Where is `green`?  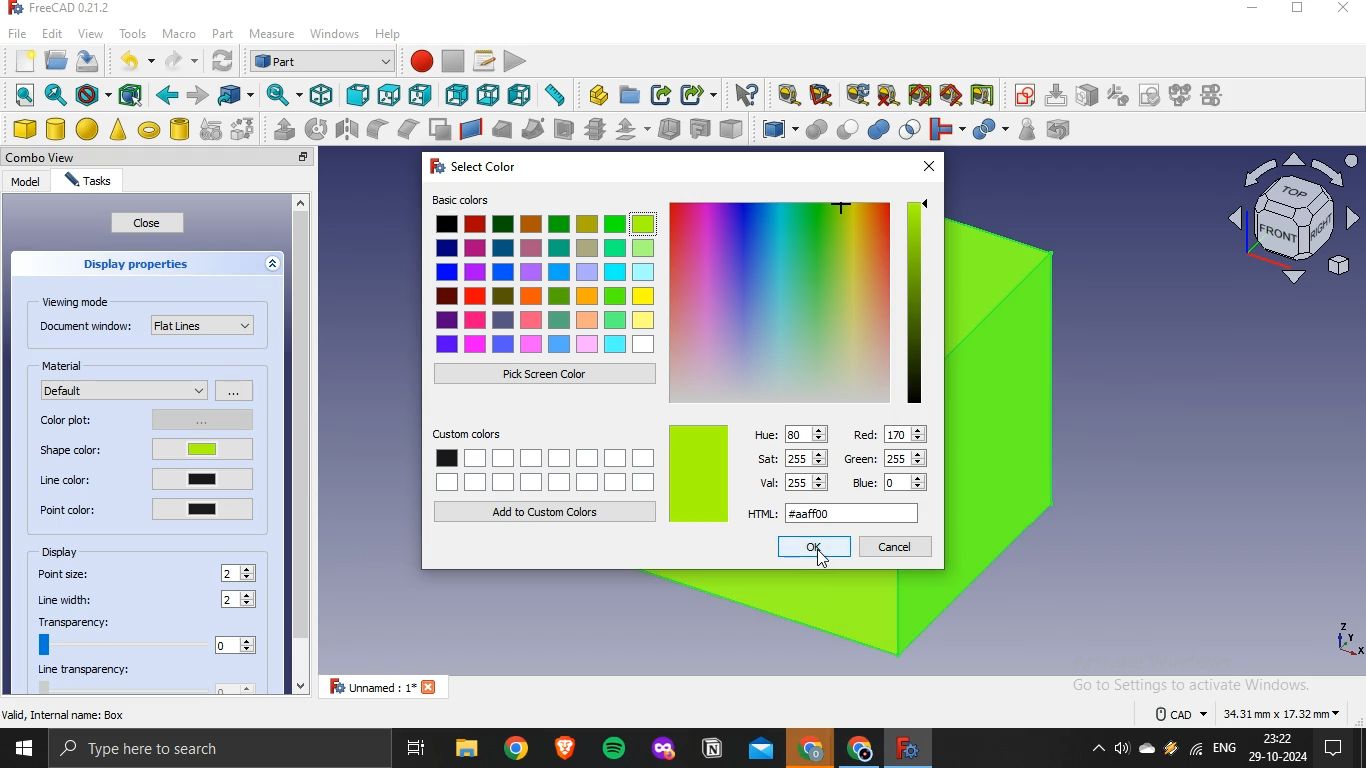
green is located at coordinates (888, 460).